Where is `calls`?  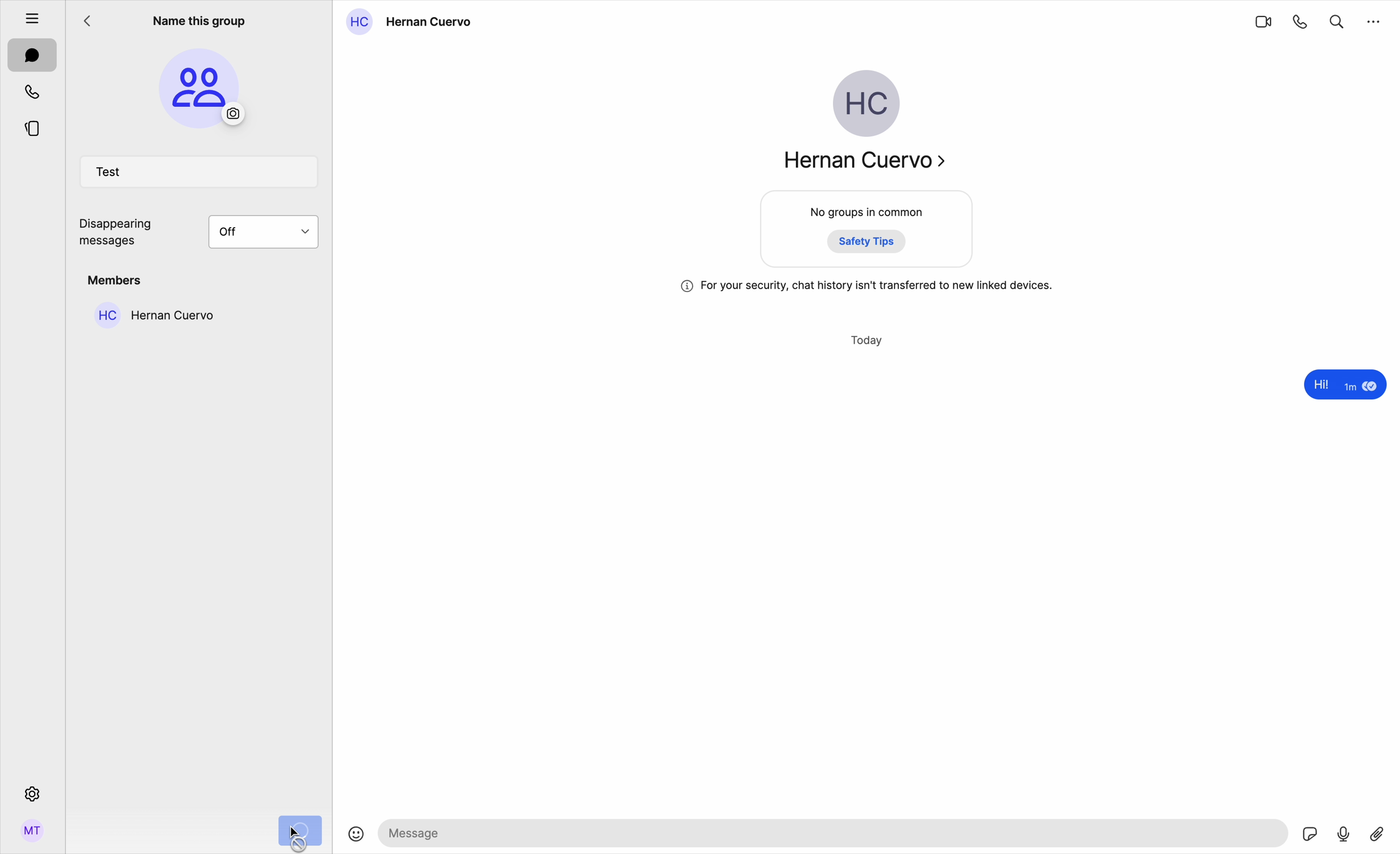 calls is located at coordinates (34, 91).